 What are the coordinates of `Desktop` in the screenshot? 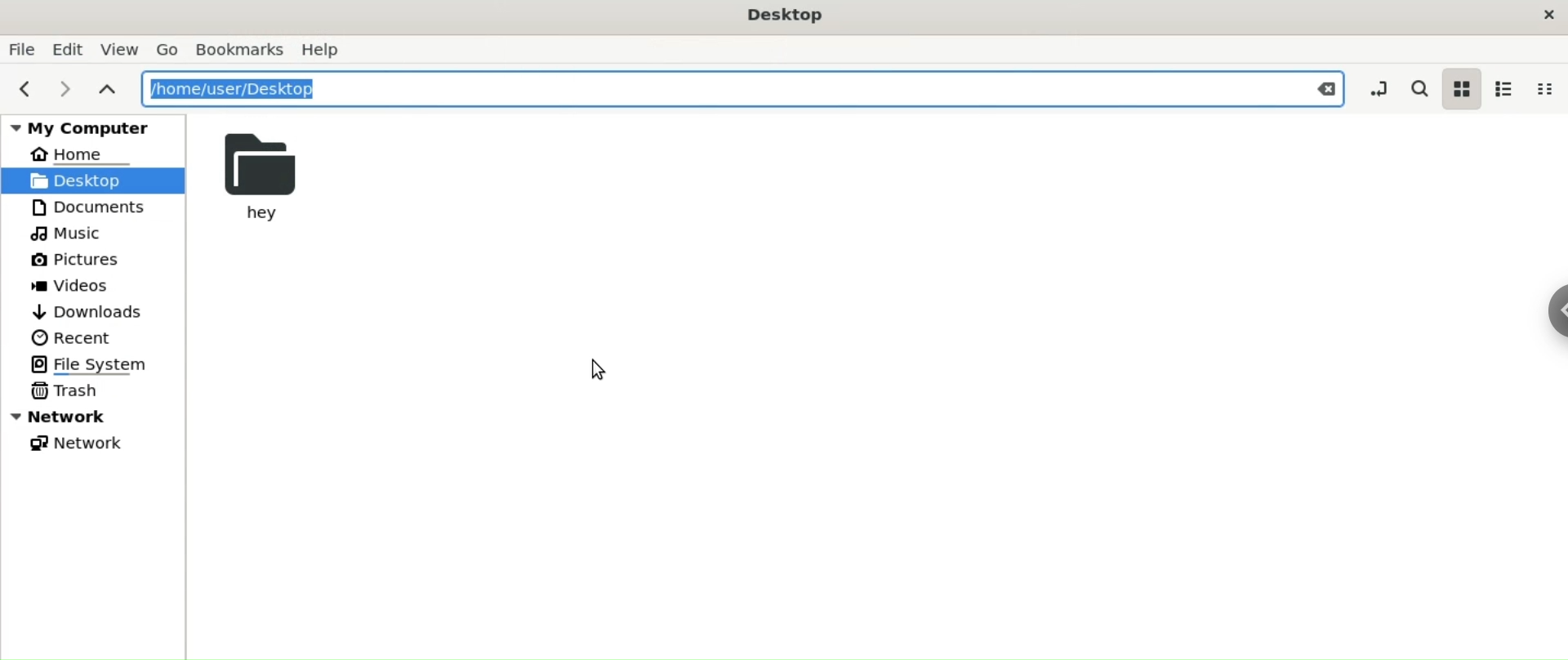 It's located at (784, 16).